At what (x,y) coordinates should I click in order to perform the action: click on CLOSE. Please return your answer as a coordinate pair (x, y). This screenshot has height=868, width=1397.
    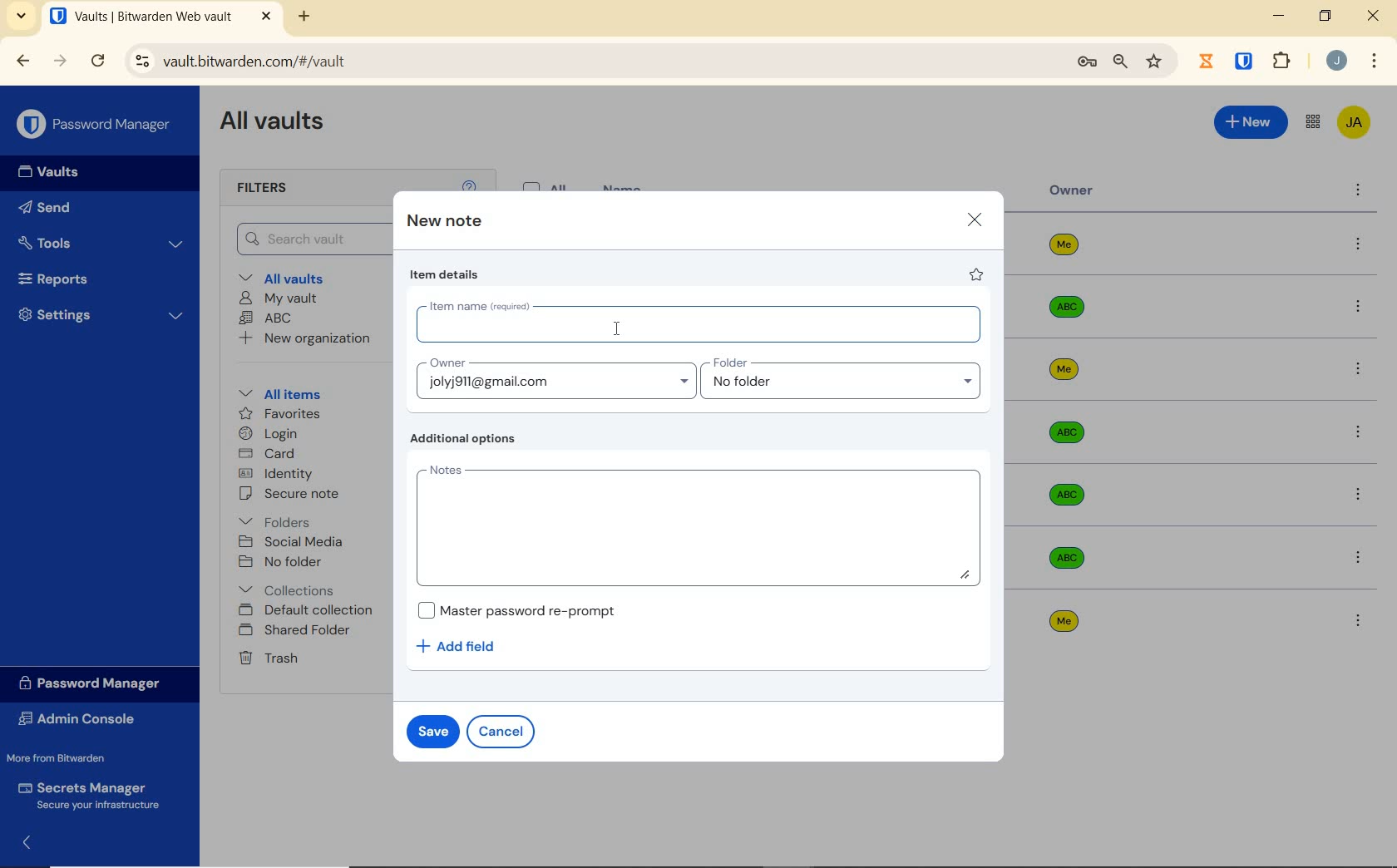
    Looking at the image, I should click on (266, 17).